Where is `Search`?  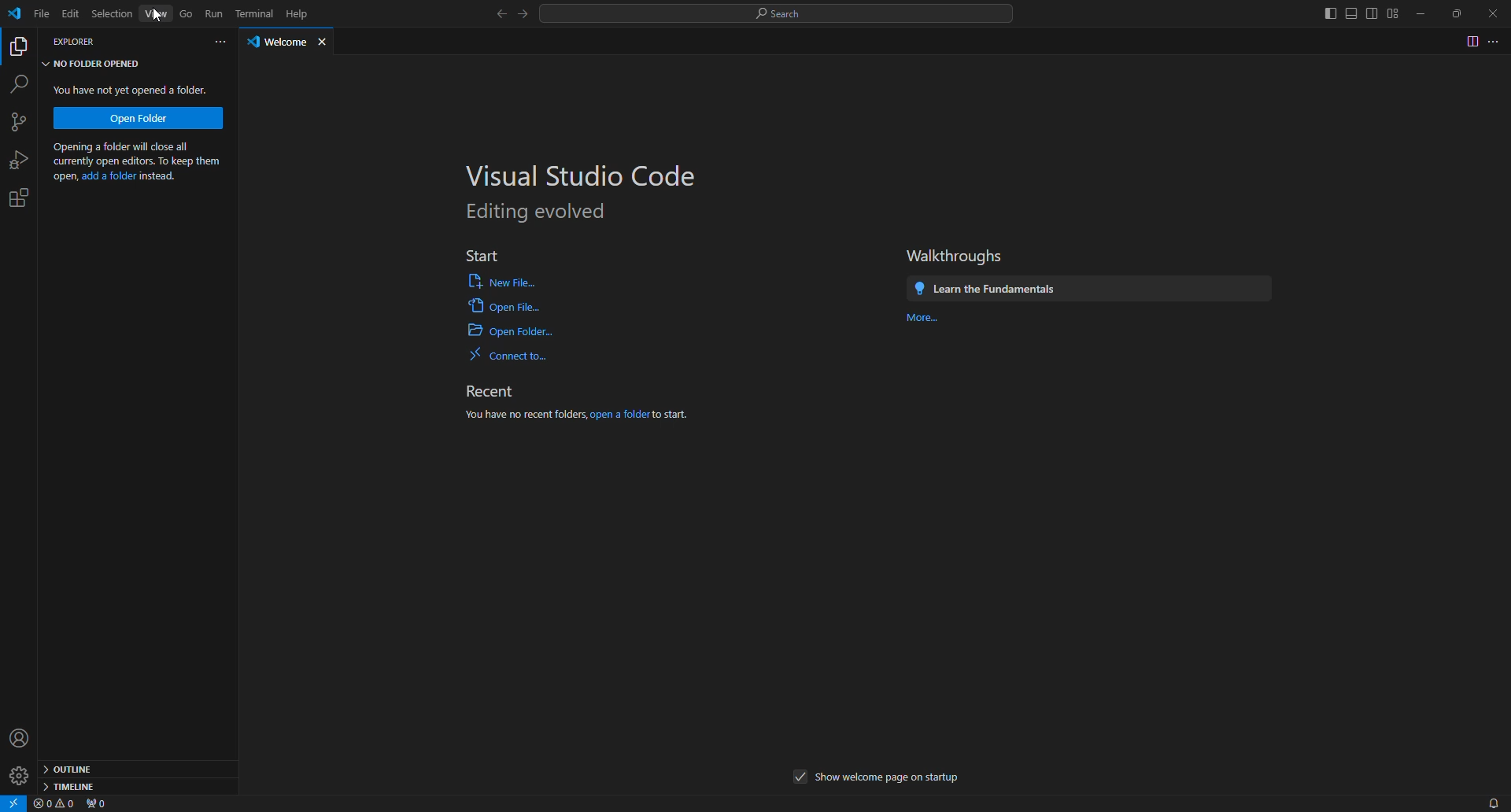
Search is located at coordinates (779, 13).